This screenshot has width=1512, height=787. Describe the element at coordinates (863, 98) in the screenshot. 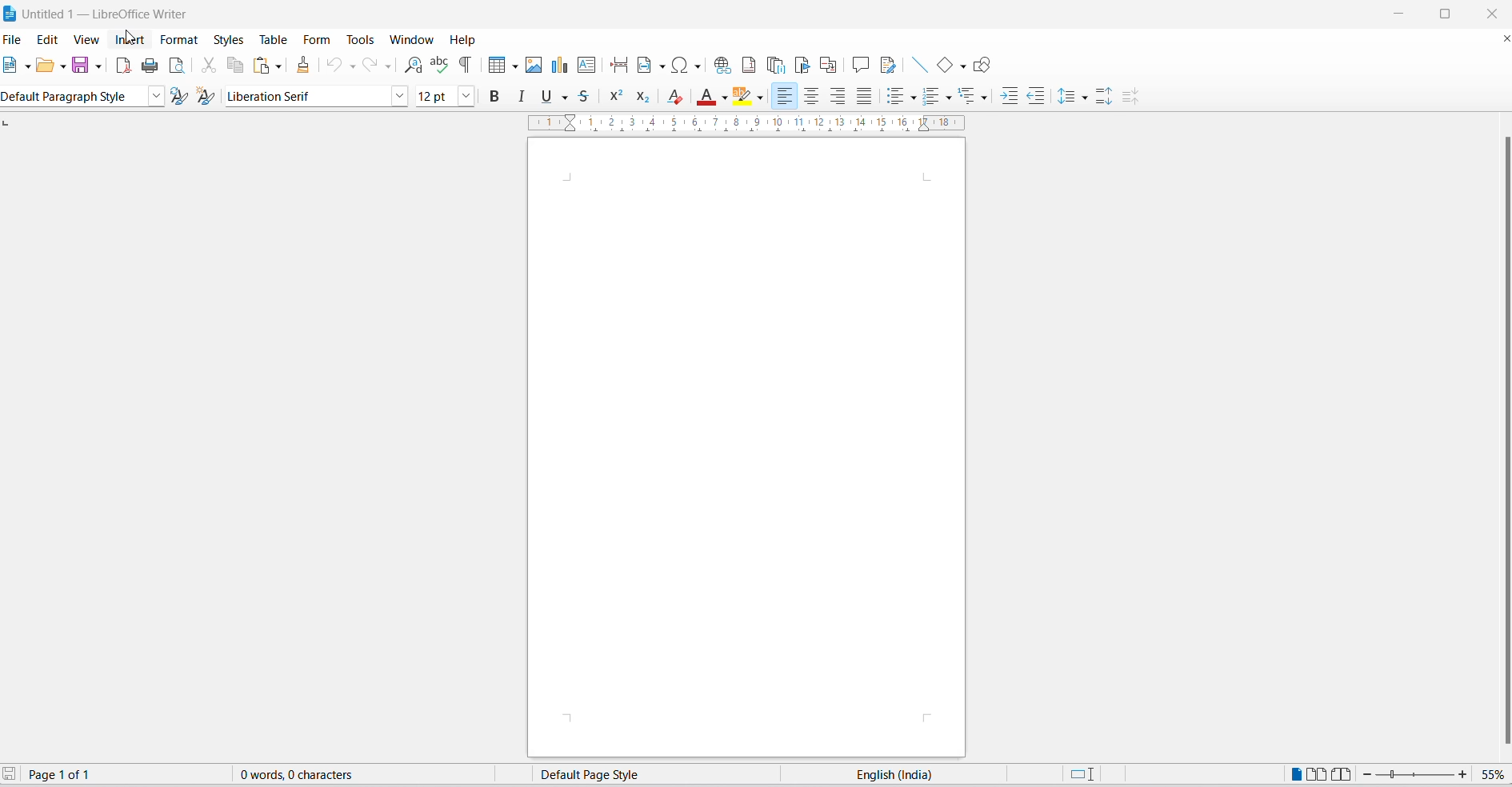

I see `justified` at that location.